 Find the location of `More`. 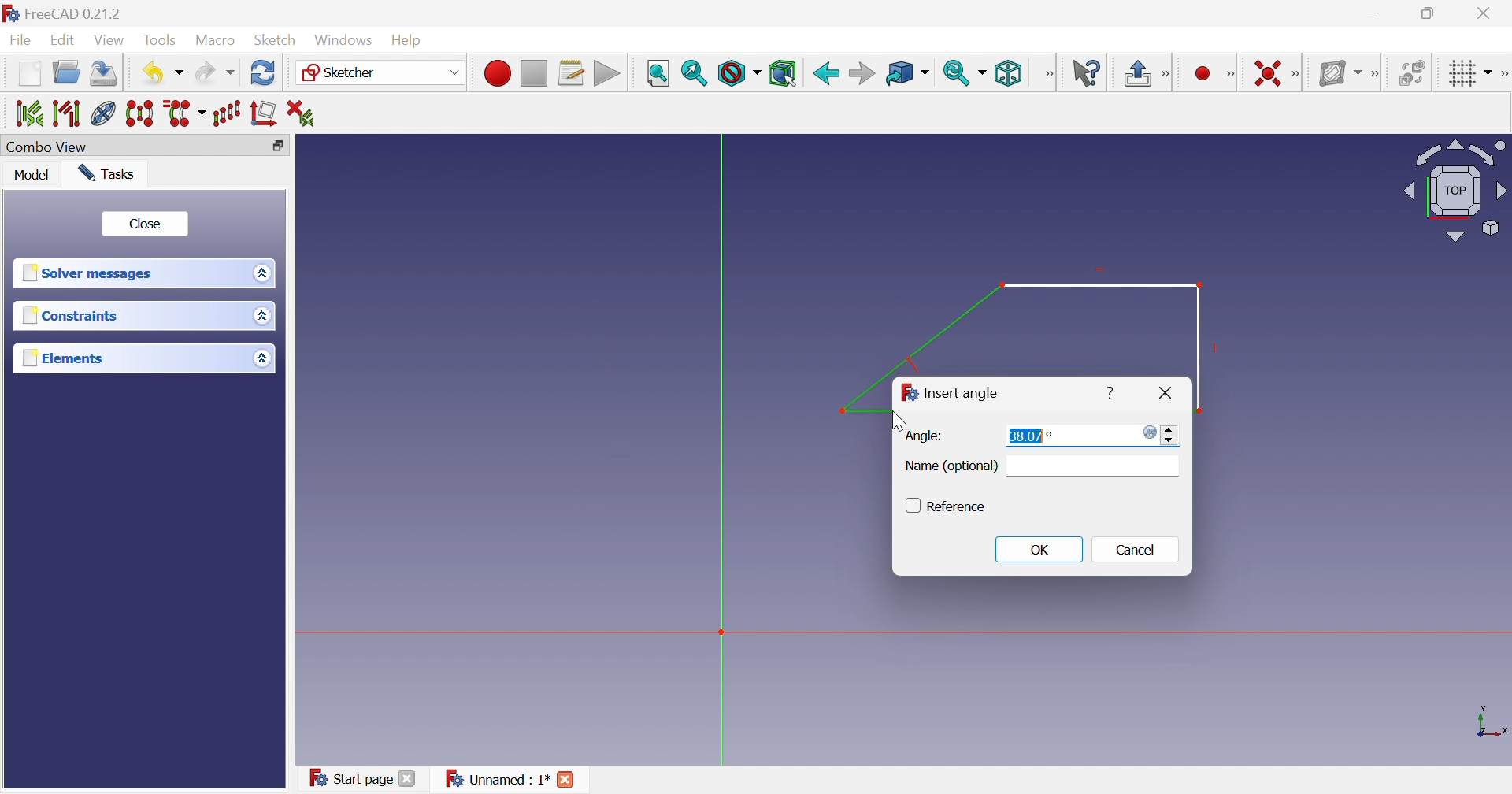

More is located at coordinates (1374, 71).